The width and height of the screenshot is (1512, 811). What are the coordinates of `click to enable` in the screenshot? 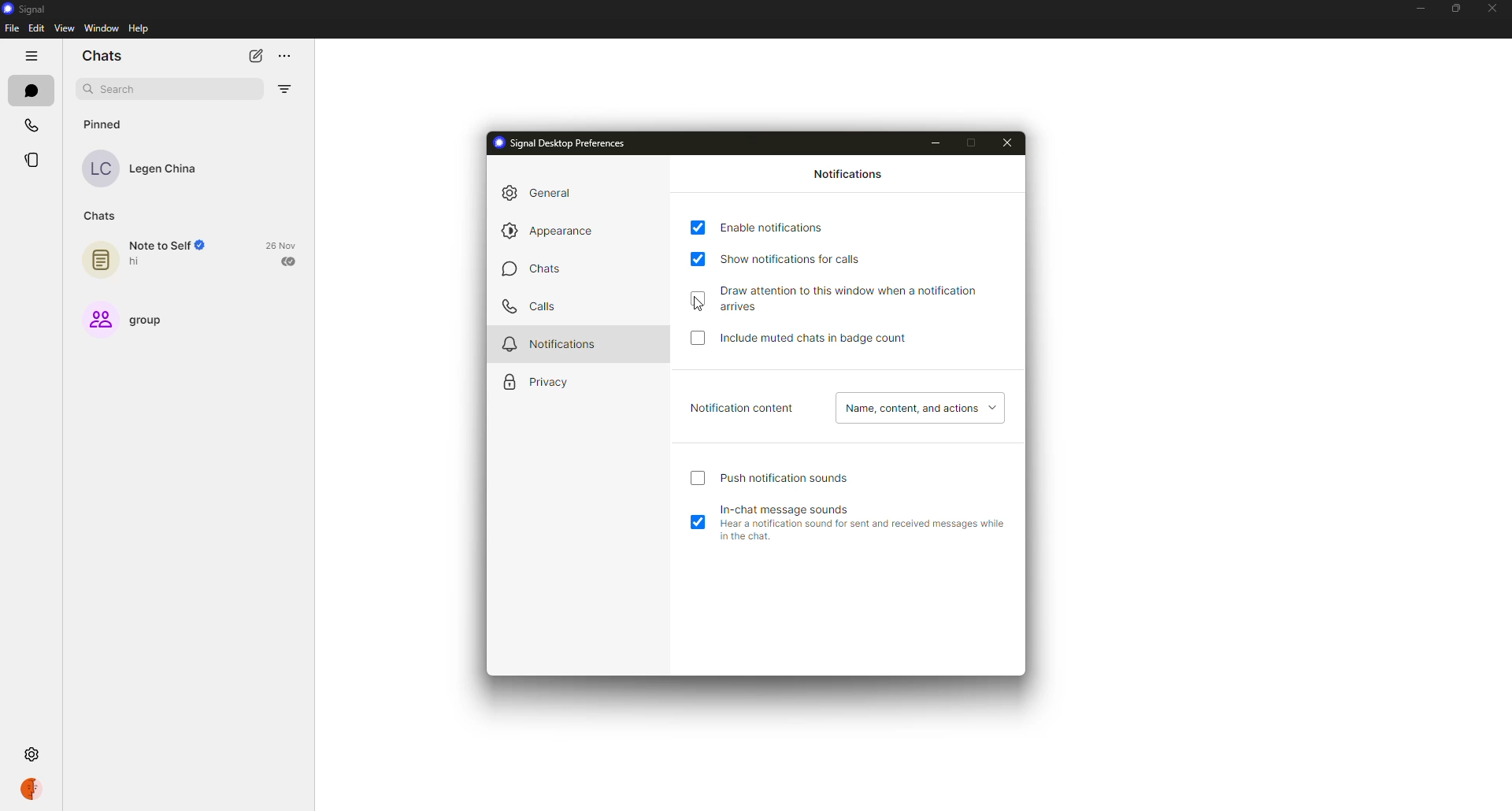 It's located at (700, 298).